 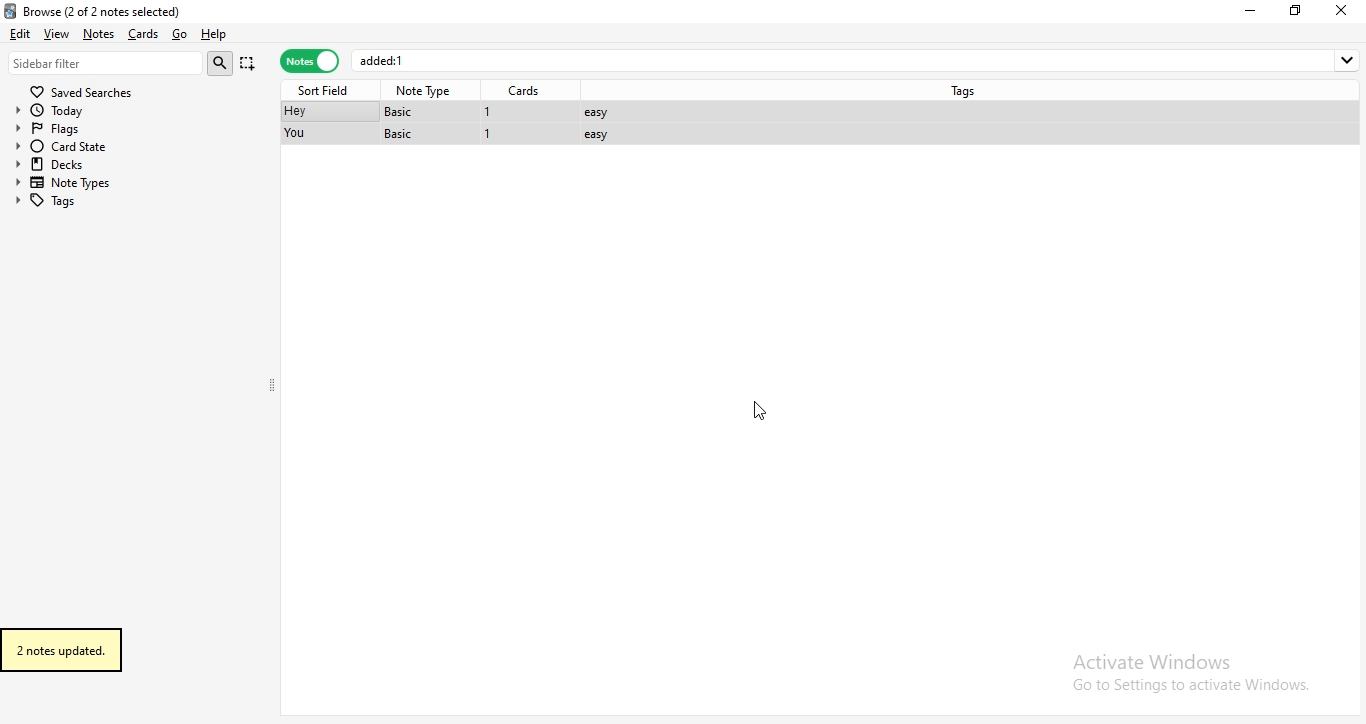 What do you see at coordinates (601, 122) in the screenshot?
I see `added tags` at bounding box center [601, 122].